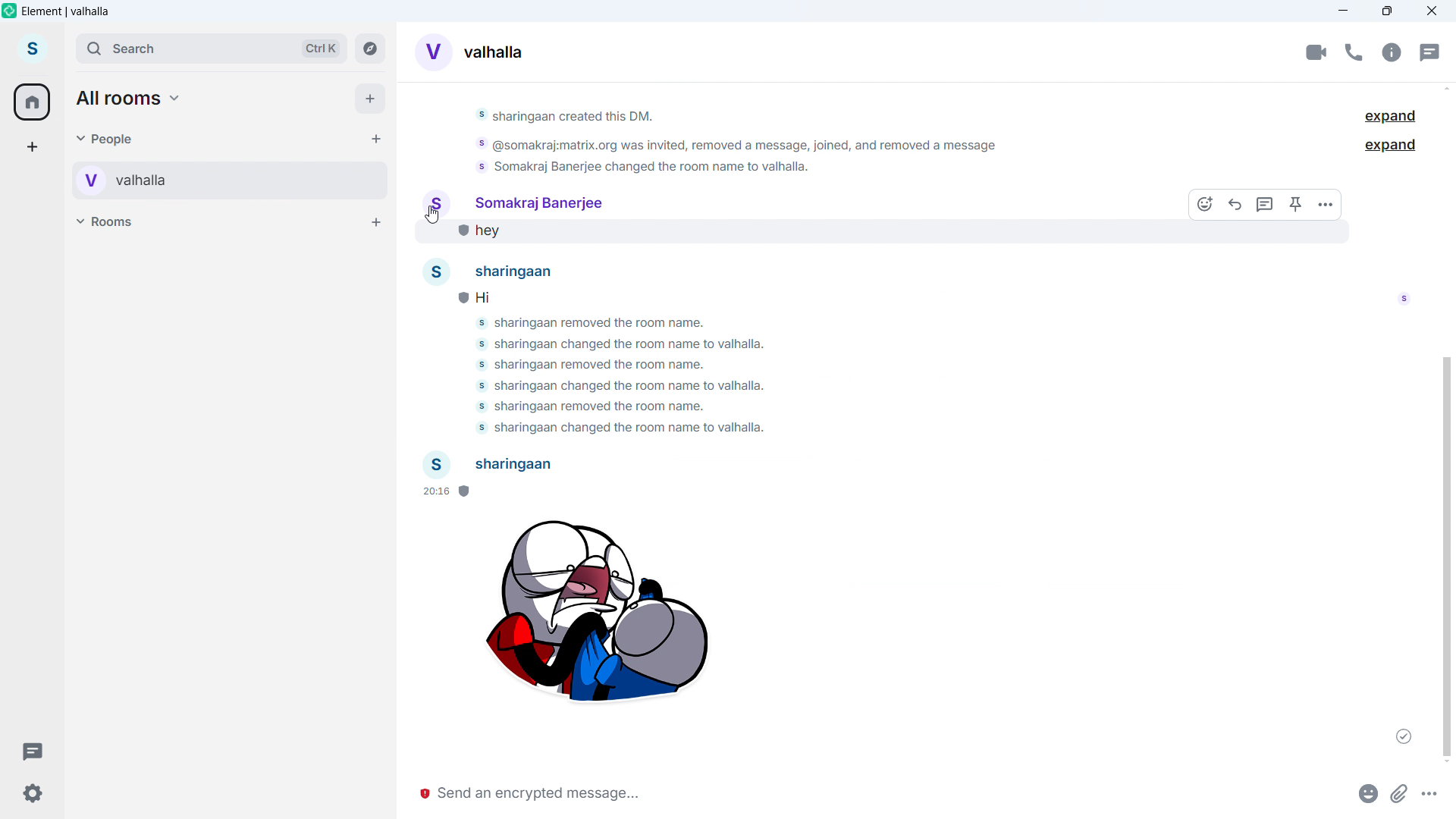  Describe the element at coordinates (444, 492) in the screenshot. I see `20:16` at that location.